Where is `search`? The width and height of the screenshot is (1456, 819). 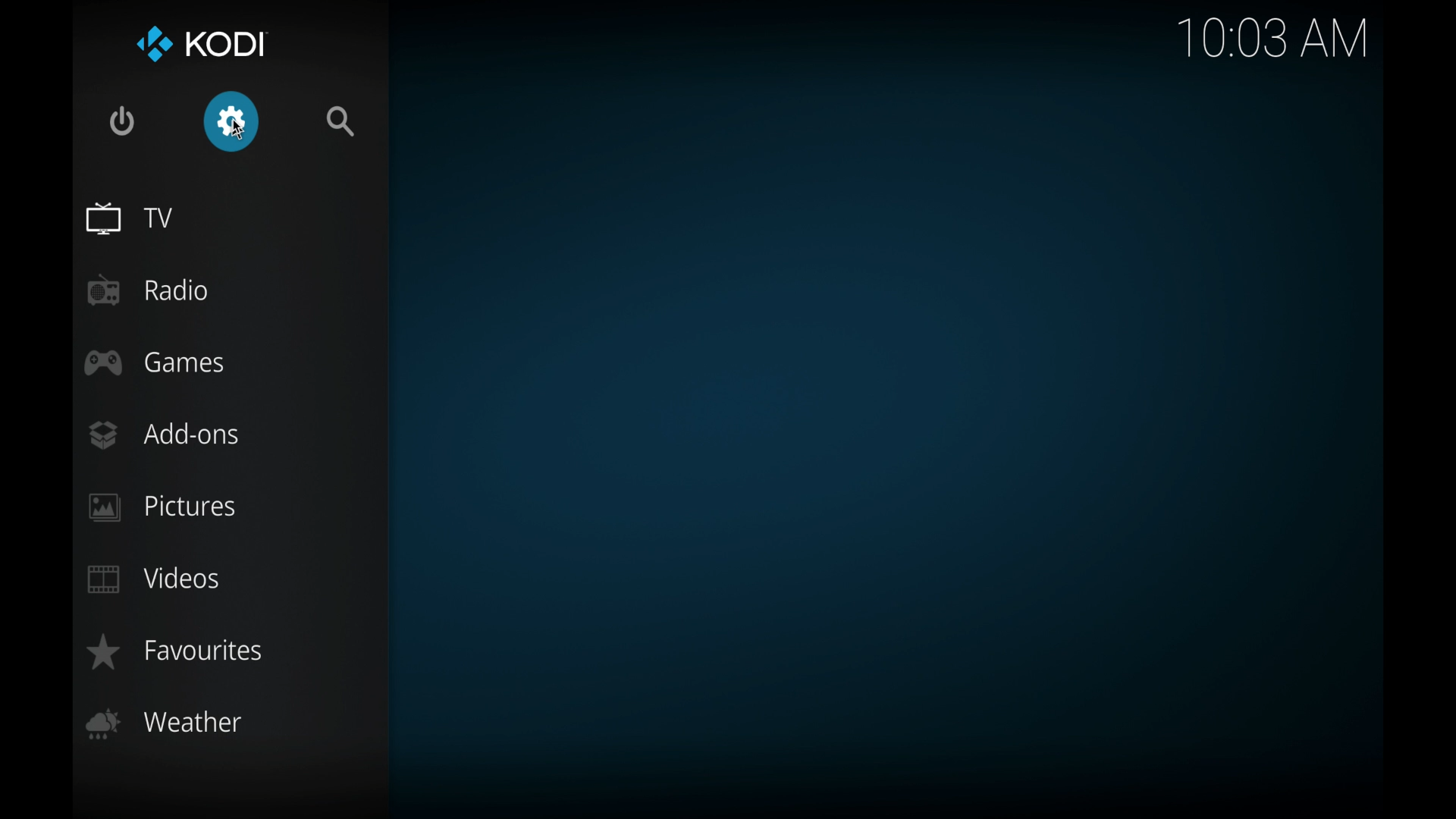
search is located at coordinates (343, 121).